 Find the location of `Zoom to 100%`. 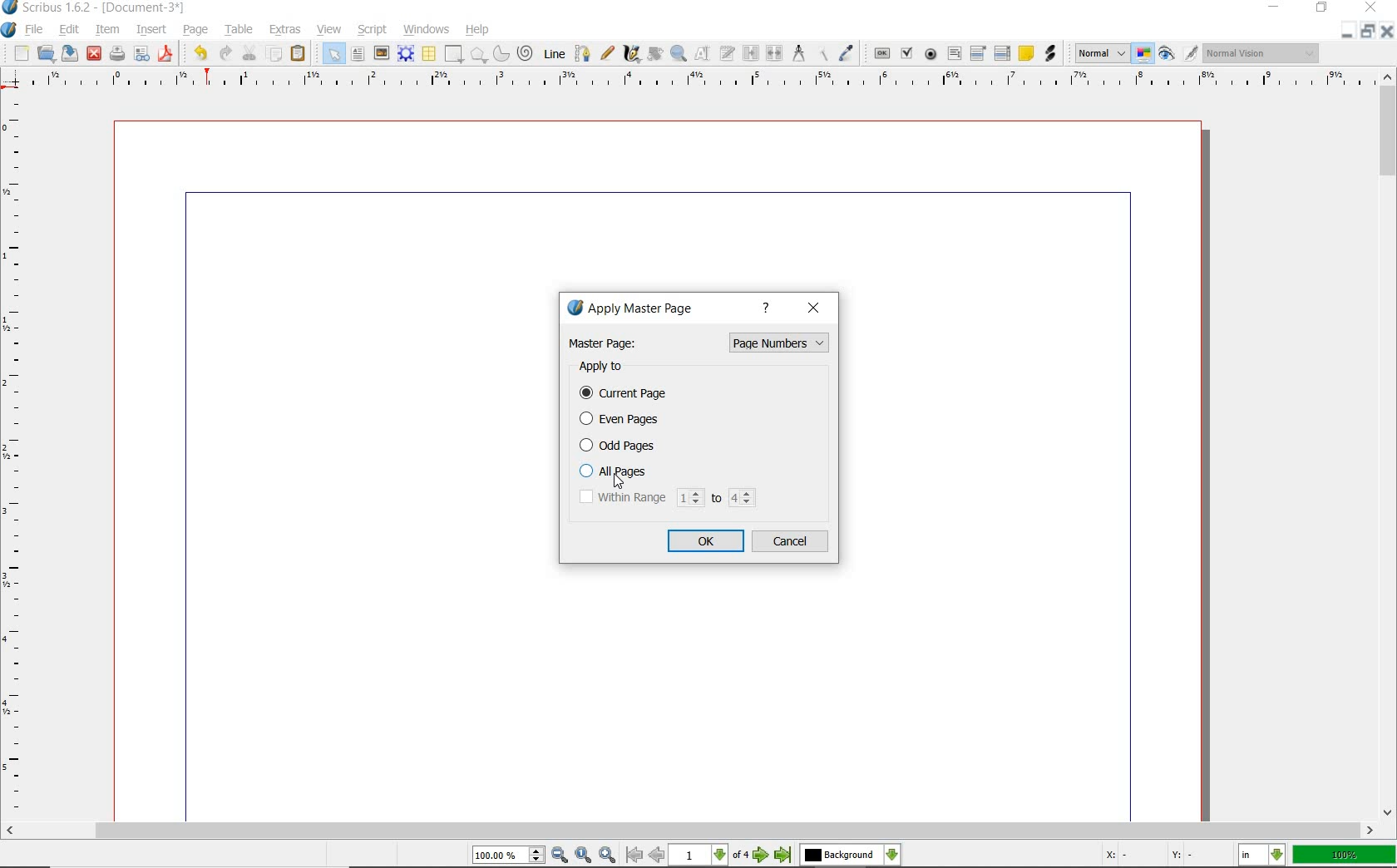

Zoom to 100% is located at coordinates (584, 856).